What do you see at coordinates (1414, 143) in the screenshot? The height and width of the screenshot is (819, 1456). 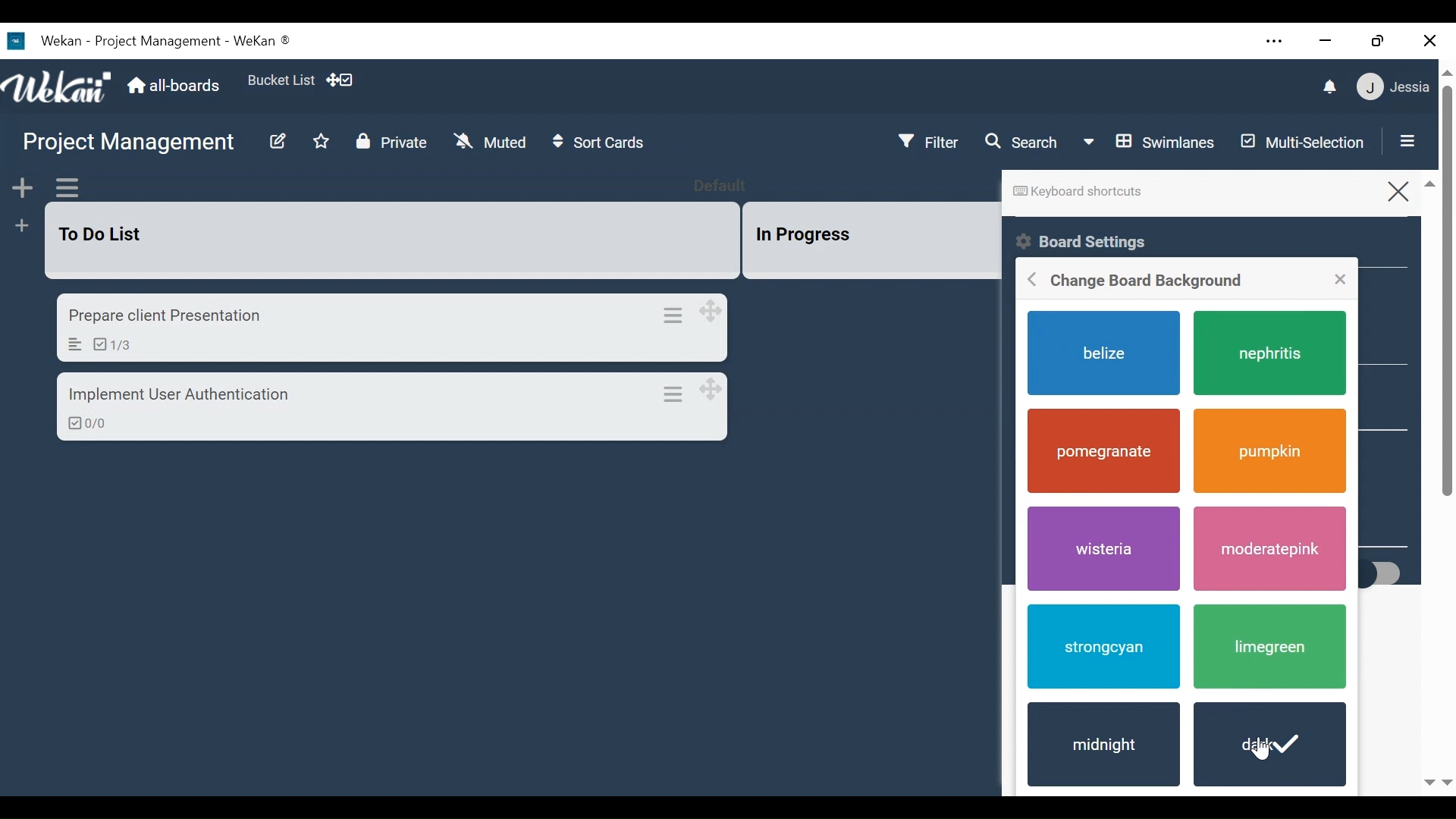 I see `Open/Close Side Pane` at bounding box center [1414, 143].